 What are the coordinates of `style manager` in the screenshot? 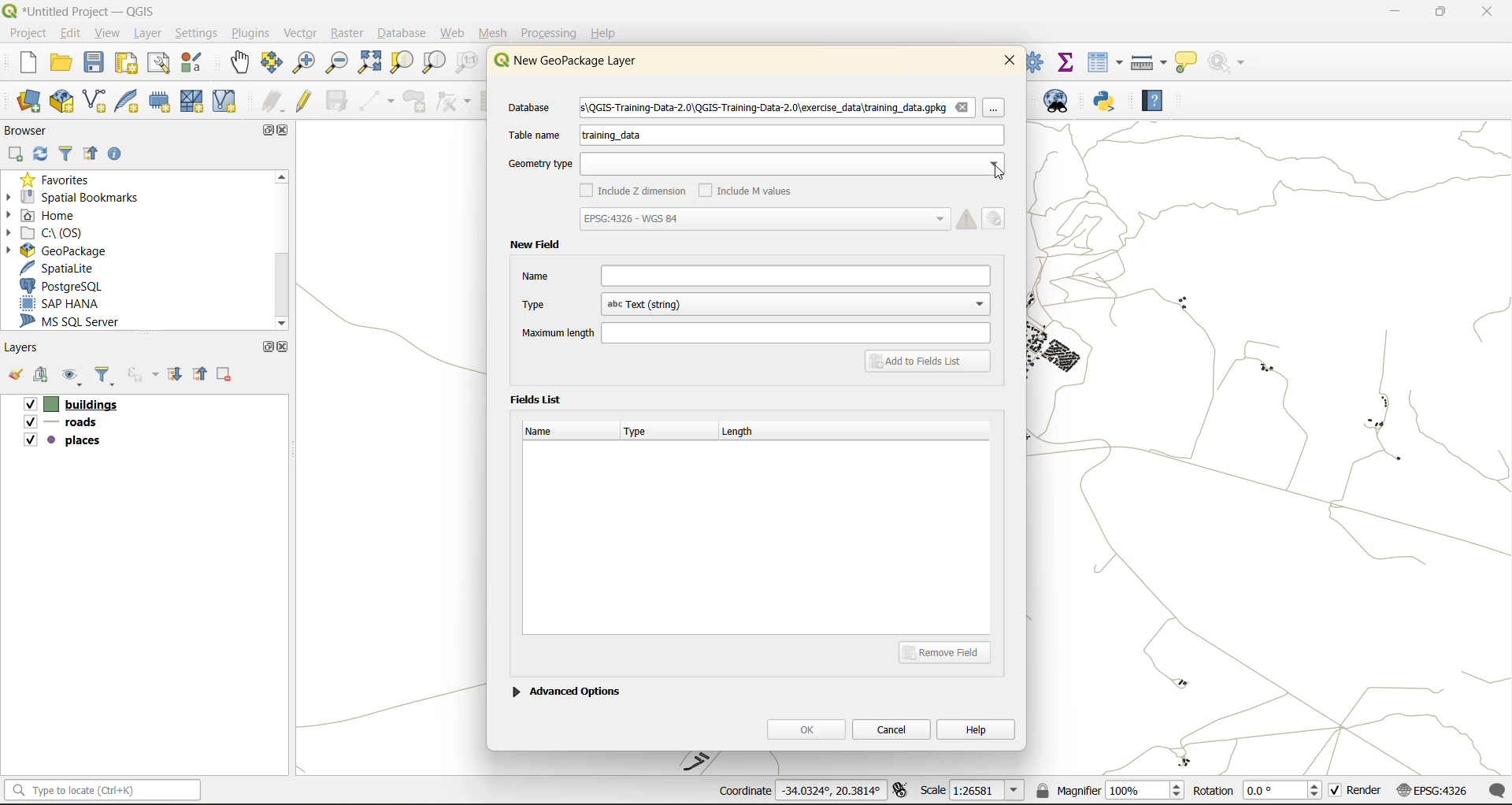 It's located at (194, 63).